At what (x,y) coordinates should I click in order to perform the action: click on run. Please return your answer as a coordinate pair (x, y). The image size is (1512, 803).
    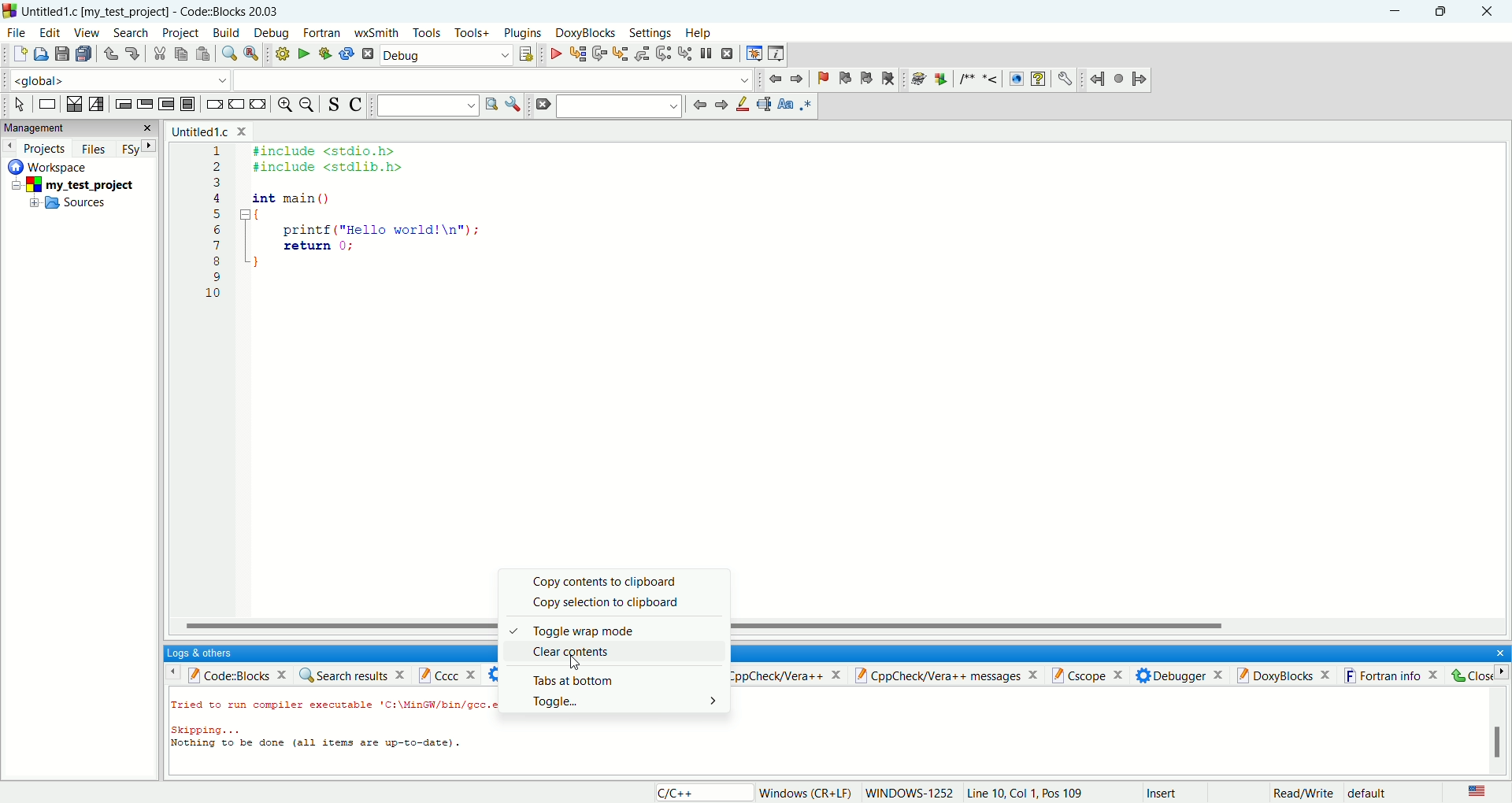
    Looking at the image, I should click on (300, 54).